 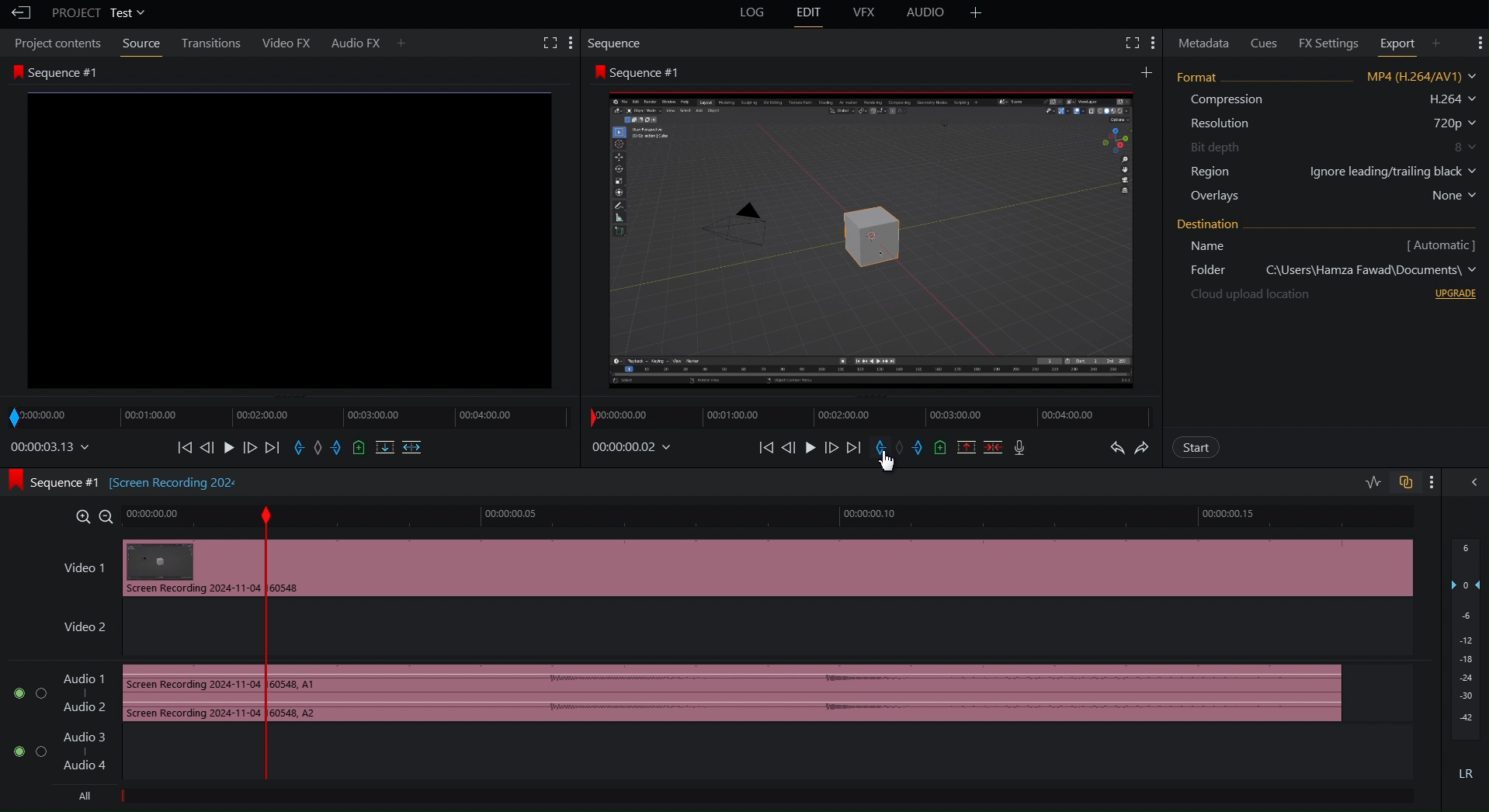 What do you see at coordinates (1140, 42) in the screenshot?
I see `Settings` at bounding box center [1140, 42].